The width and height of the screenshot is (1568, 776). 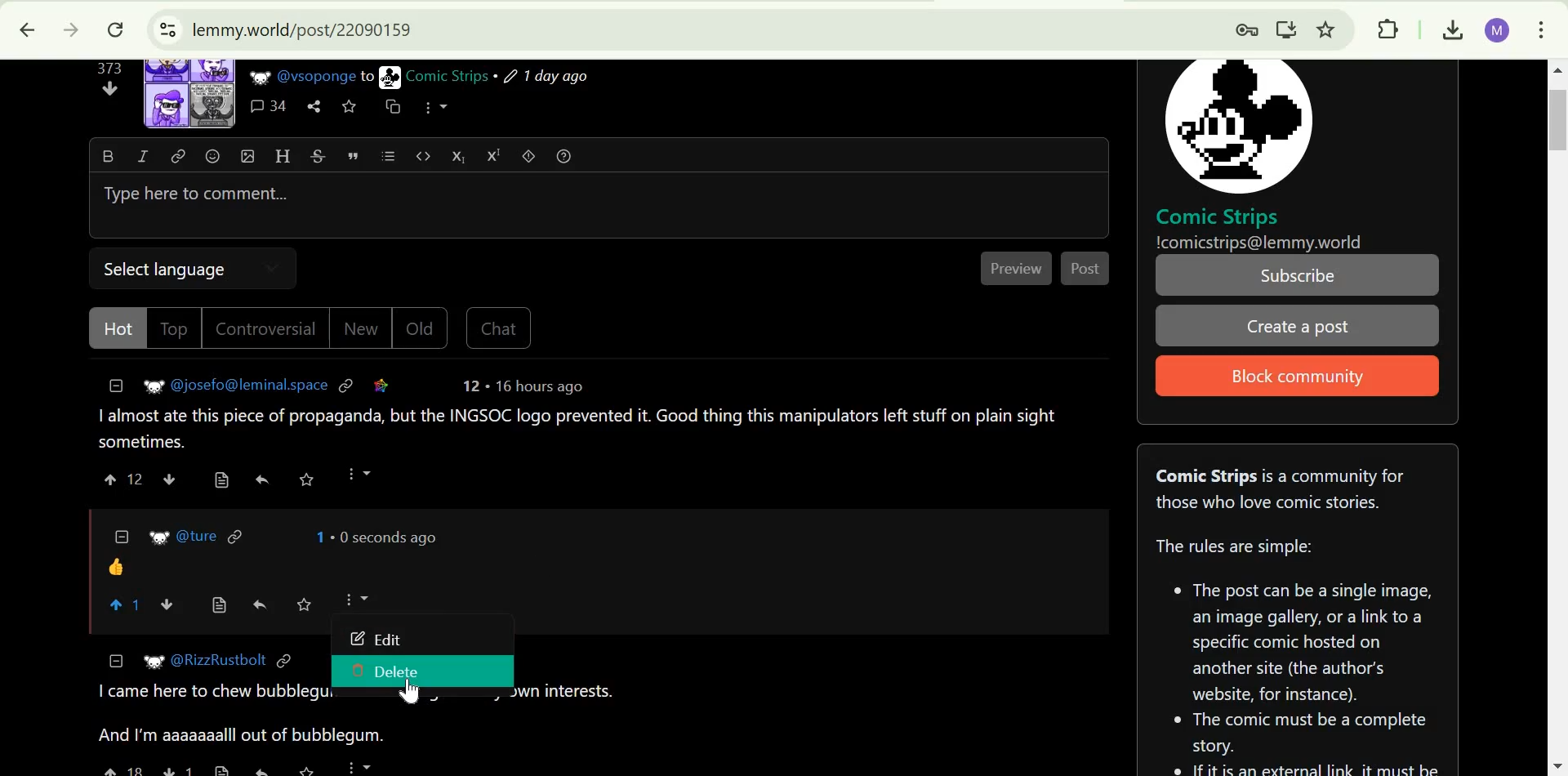 I want to click on more, so click(x=360, y=766).